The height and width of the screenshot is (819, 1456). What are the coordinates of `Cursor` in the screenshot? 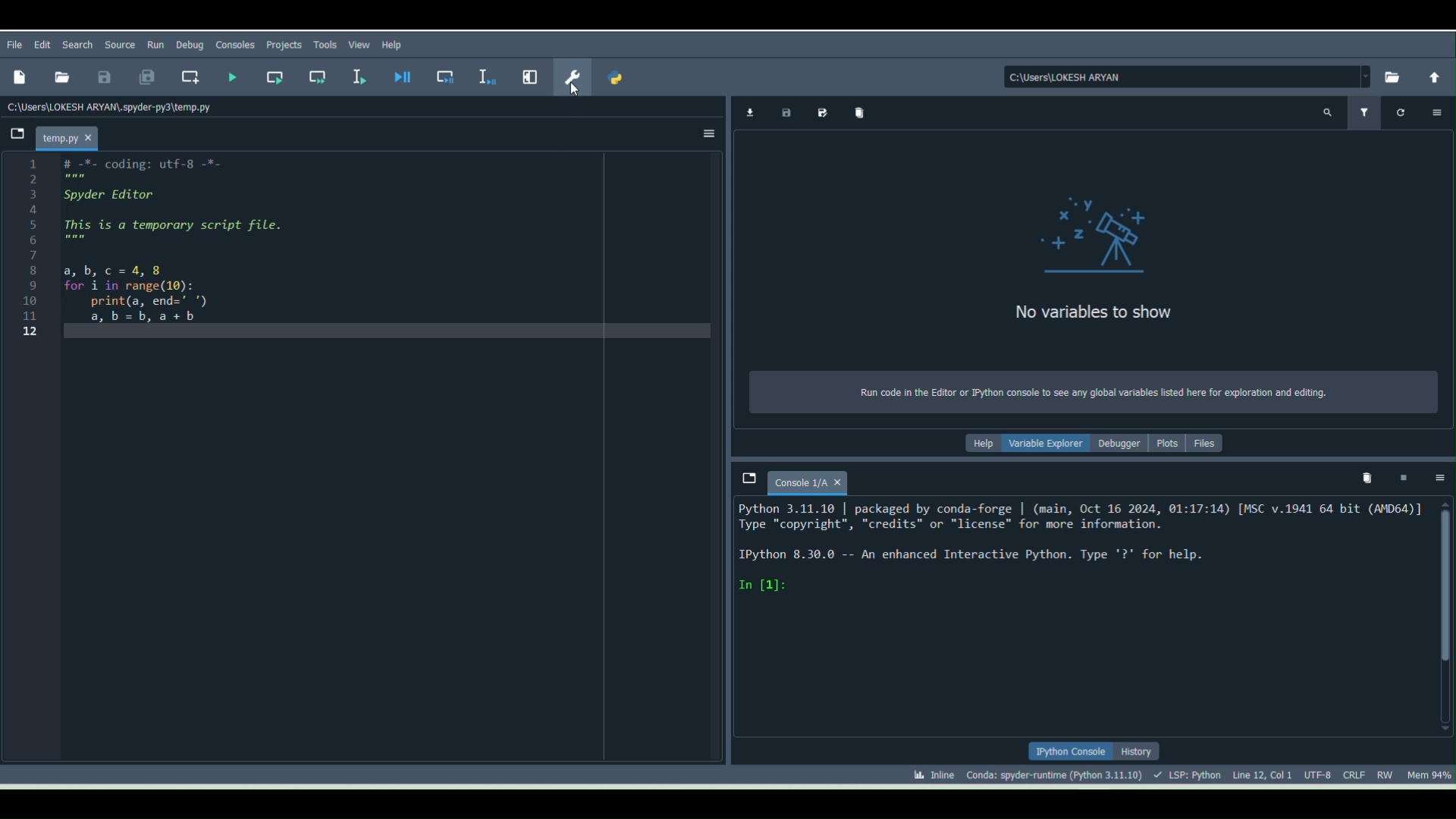 It's located at (577, 93).